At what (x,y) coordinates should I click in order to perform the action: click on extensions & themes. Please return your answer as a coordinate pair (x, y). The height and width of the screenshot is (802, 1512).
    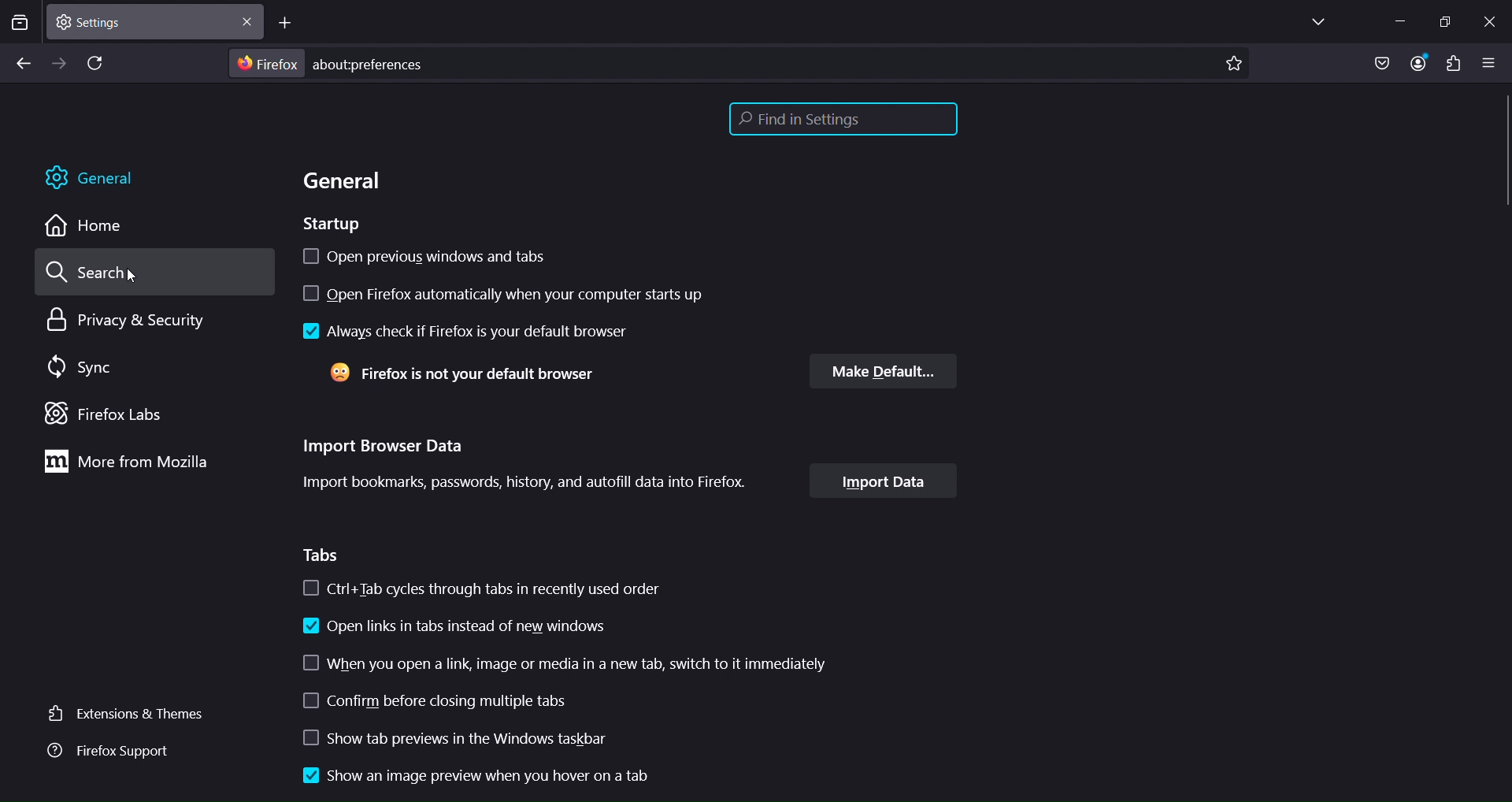
    Looking at the image, I should click on (129, 715).